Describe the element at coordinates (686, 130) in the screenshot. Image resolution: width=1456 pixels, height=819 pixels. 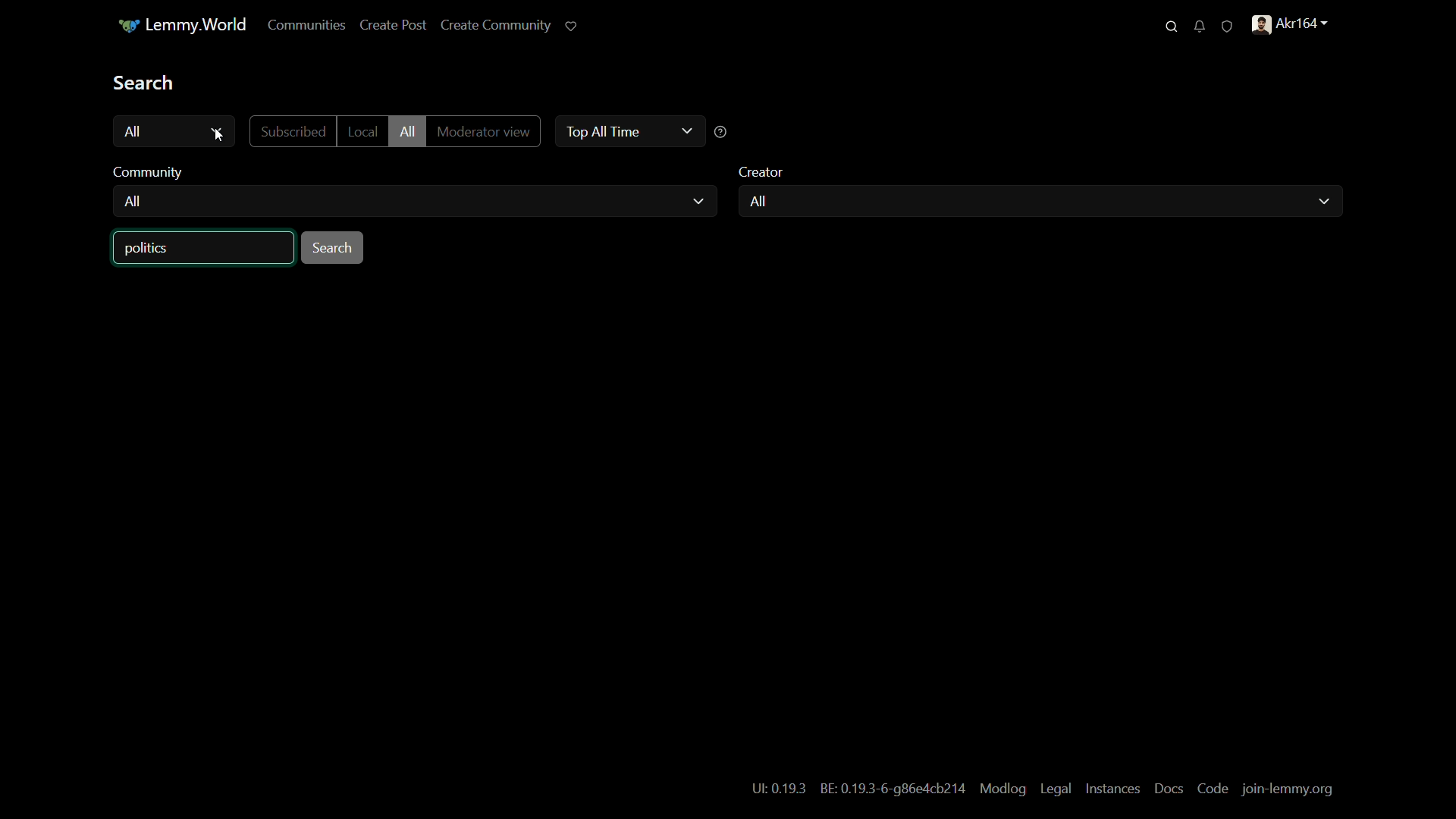
I see `dropdown` at that location.